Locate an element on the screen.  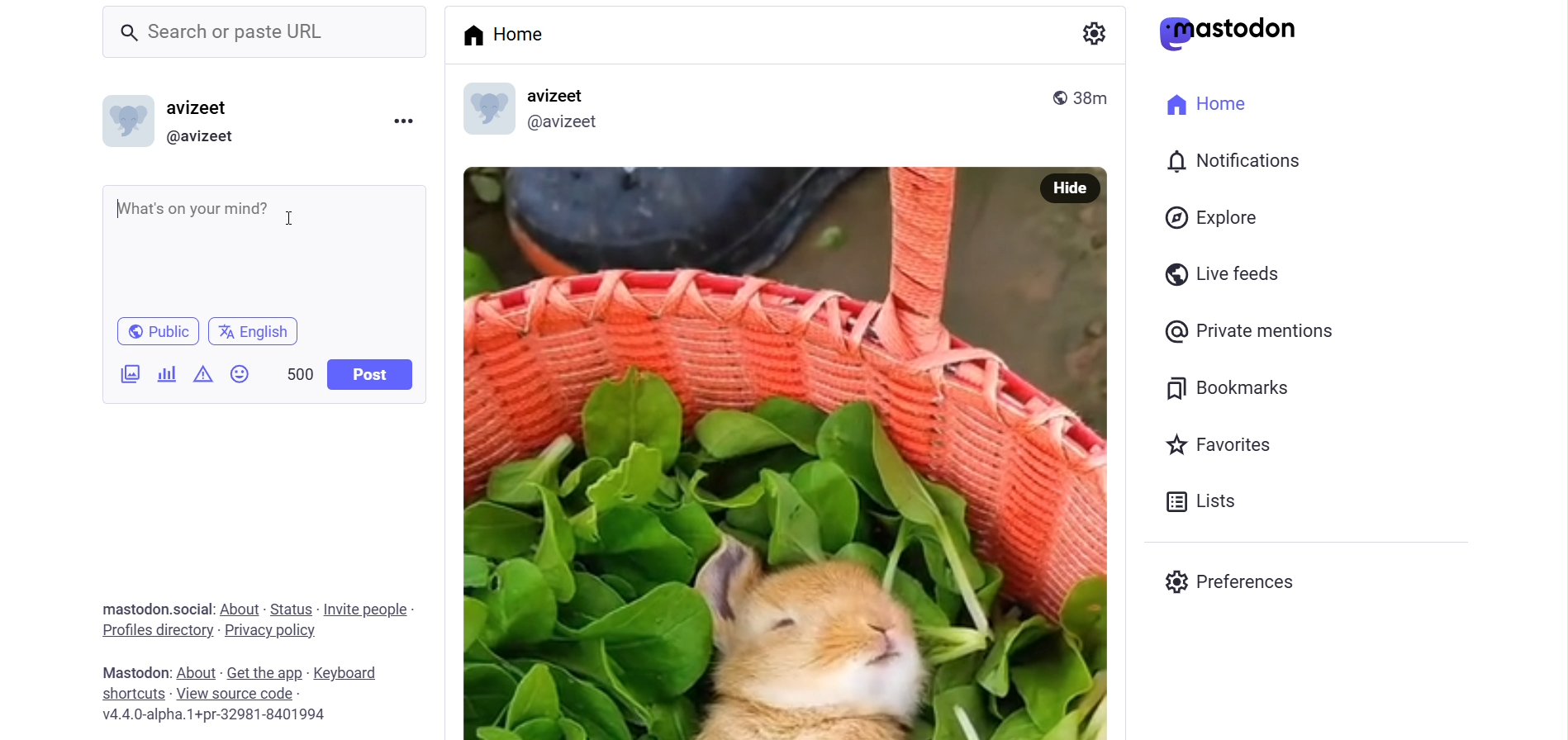
Preferences is located at coordinates (1232, 583).